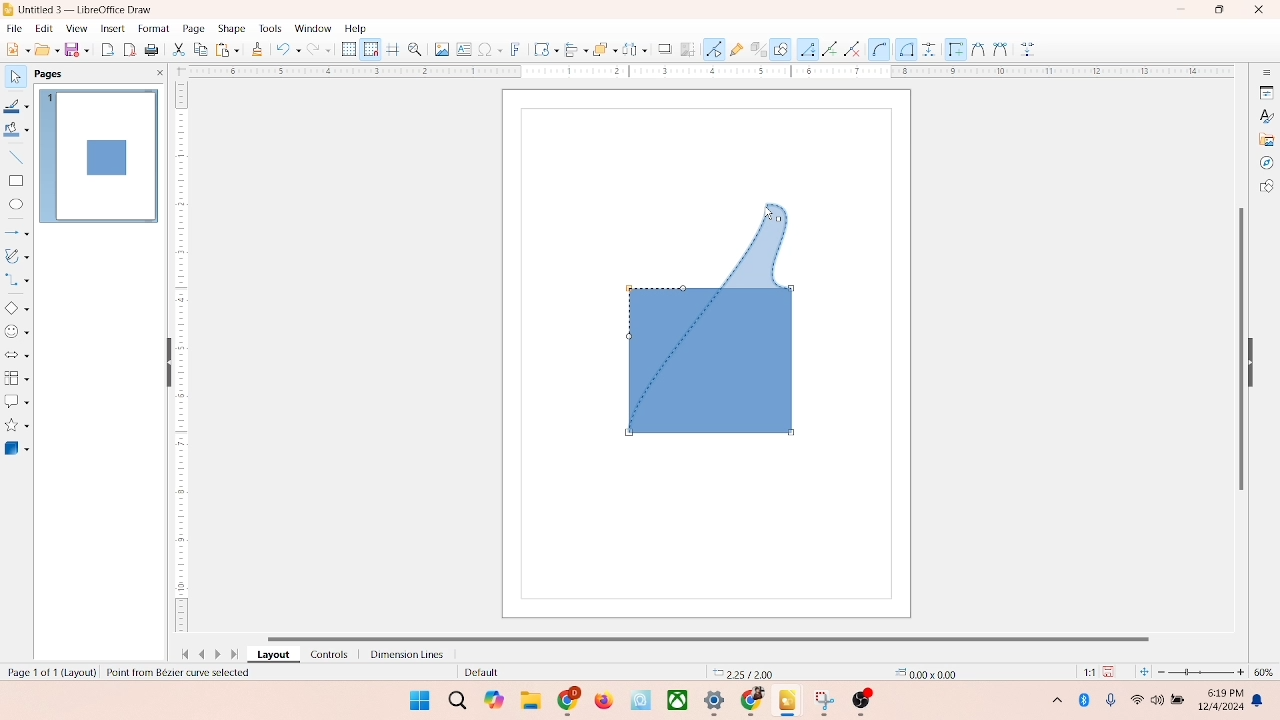  Describe the element at coordinates (18, 280) in the screenshot. I see `connector` at that location.